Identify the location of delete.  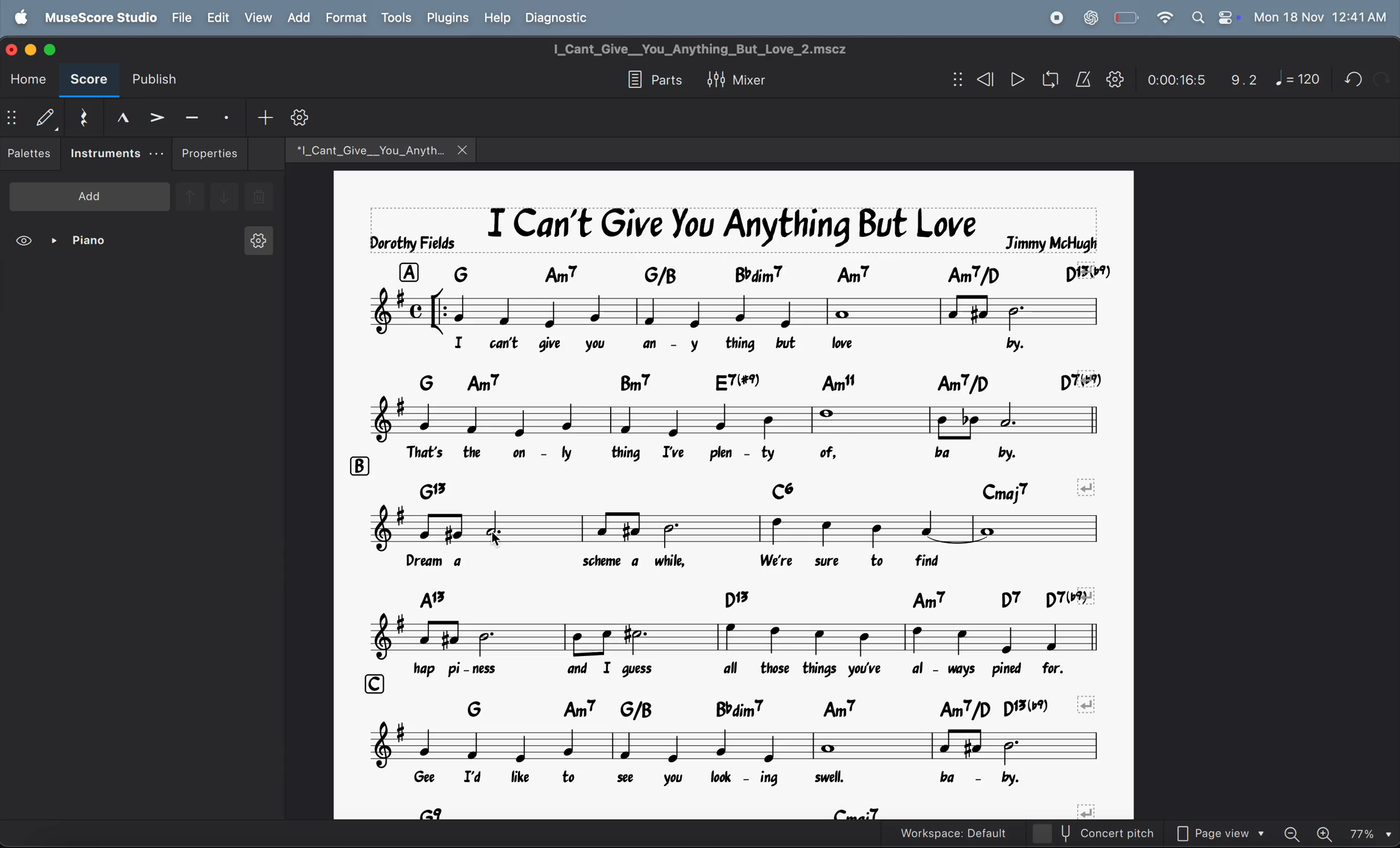
(268, 197).